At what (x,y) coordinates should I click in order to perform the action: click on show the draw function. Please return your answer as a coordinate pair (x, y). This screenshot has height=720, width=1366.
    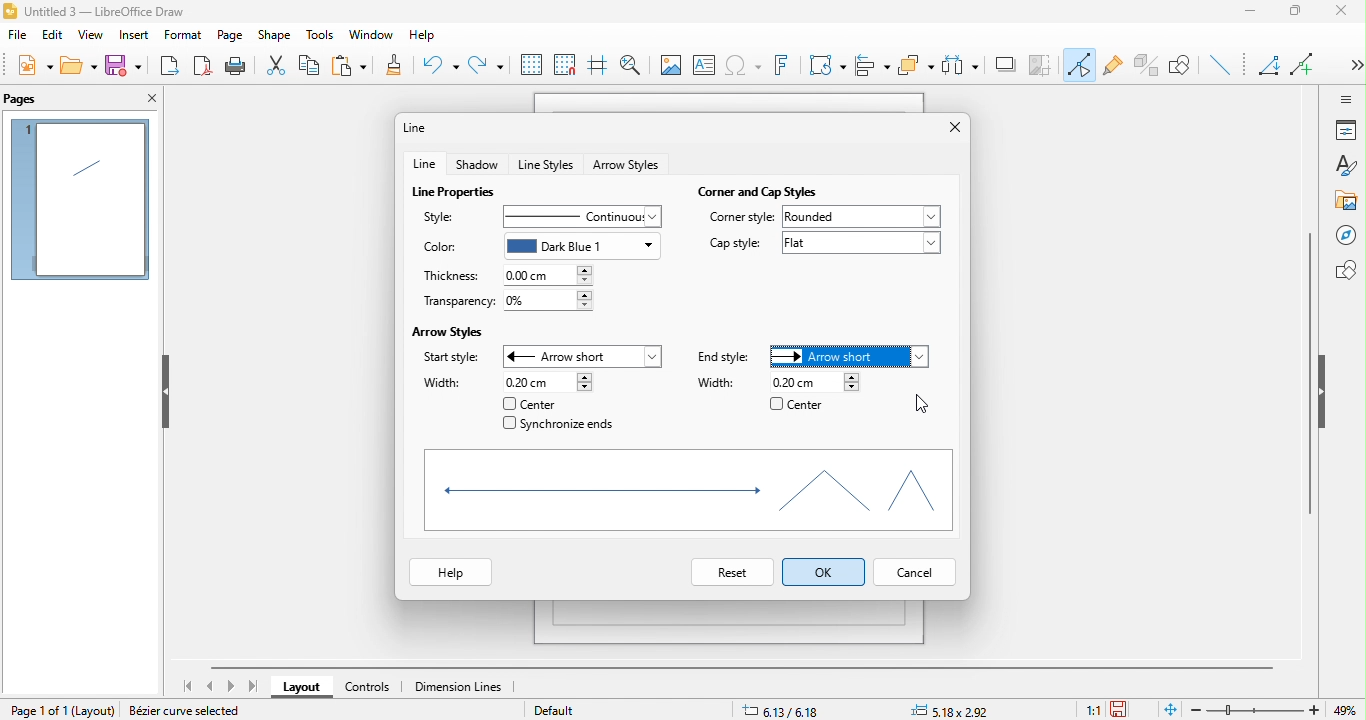
    Looking at the image, I should click on (1187, 67).